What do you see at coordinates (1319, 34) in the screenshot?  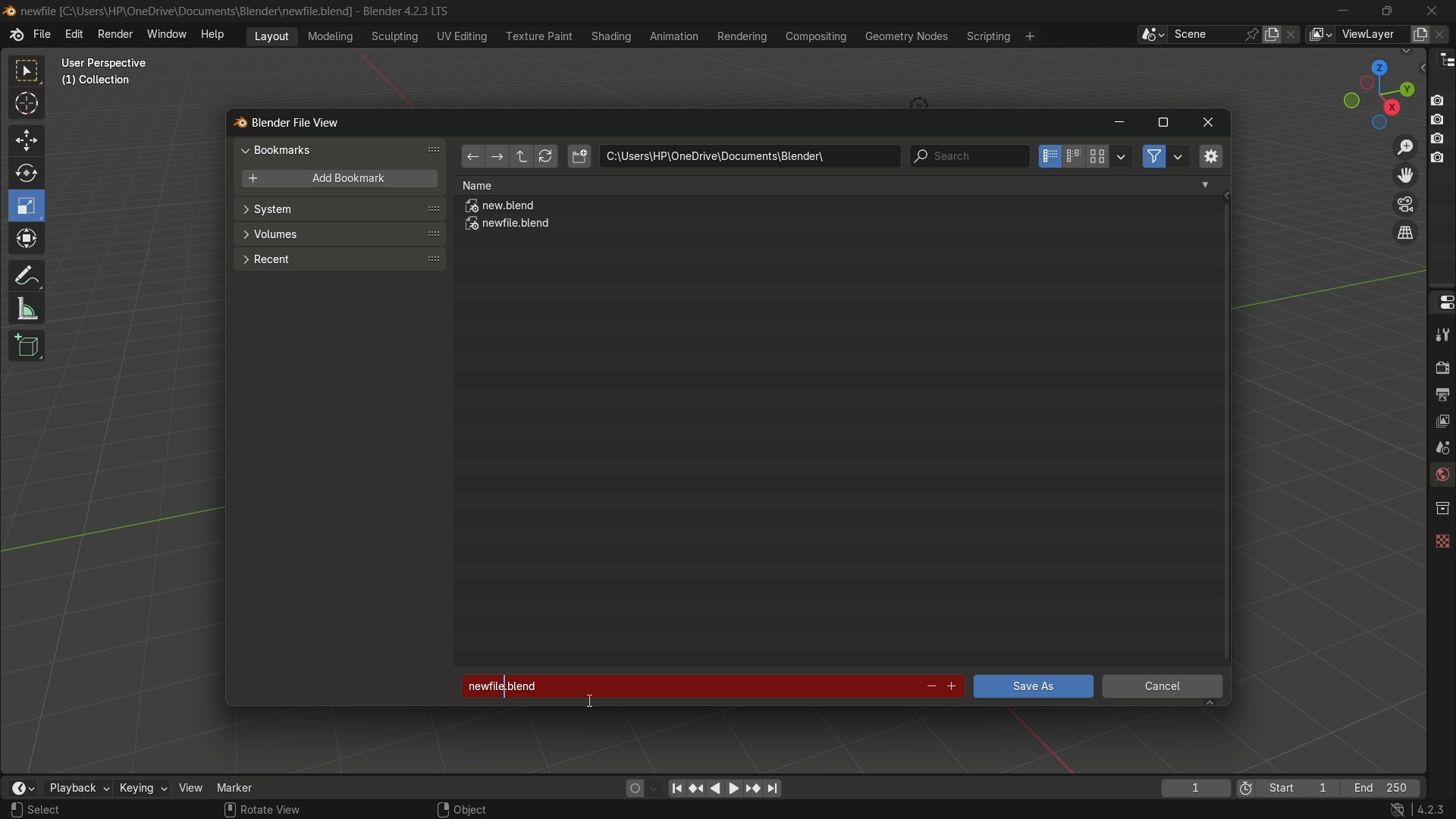 I see `view layer` at bounding box center [1319, 34].